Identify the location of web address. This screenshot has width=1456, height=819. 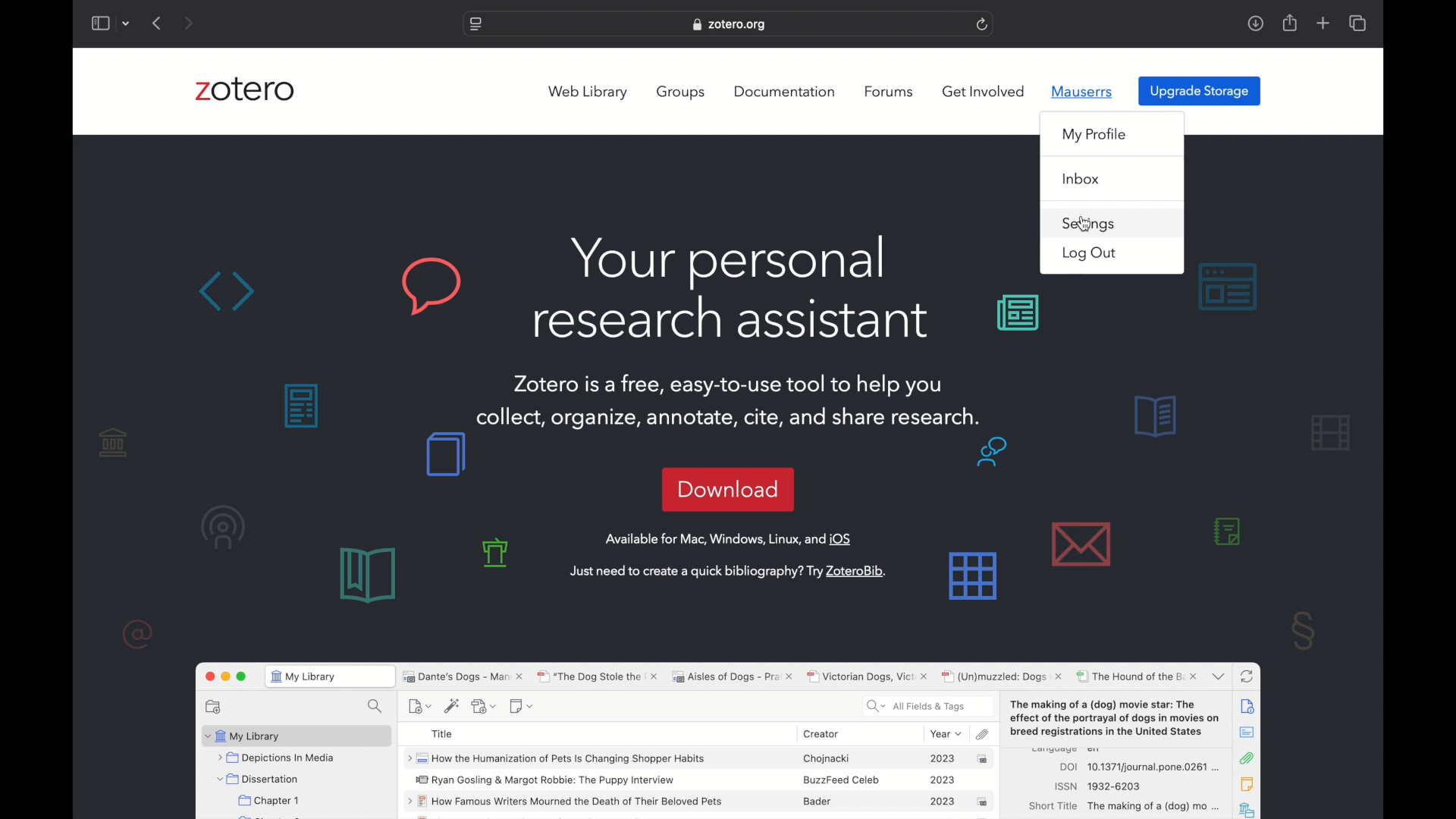
(731, 24).